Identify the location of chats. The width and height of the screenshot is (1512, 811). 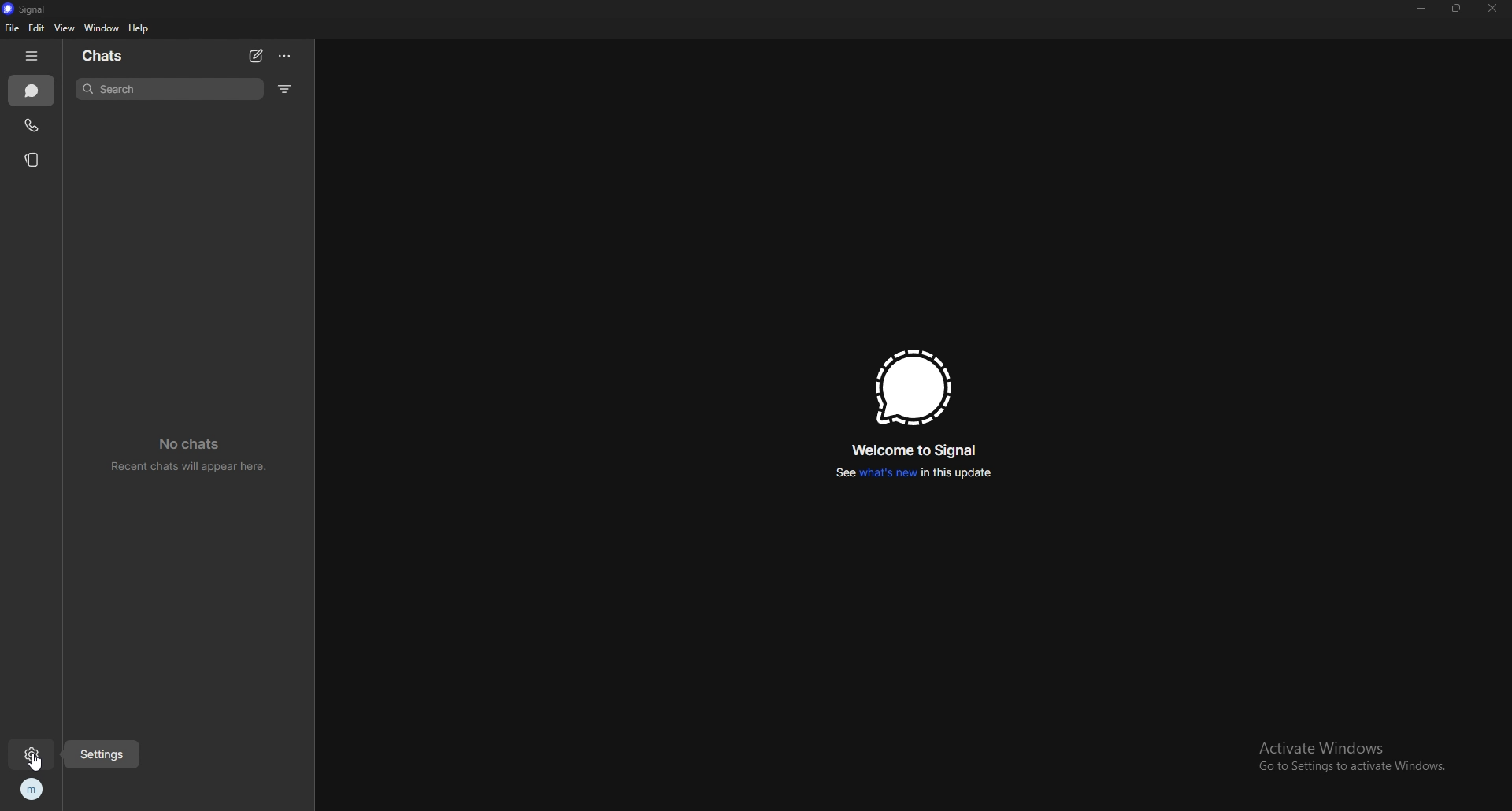
(32, 91).